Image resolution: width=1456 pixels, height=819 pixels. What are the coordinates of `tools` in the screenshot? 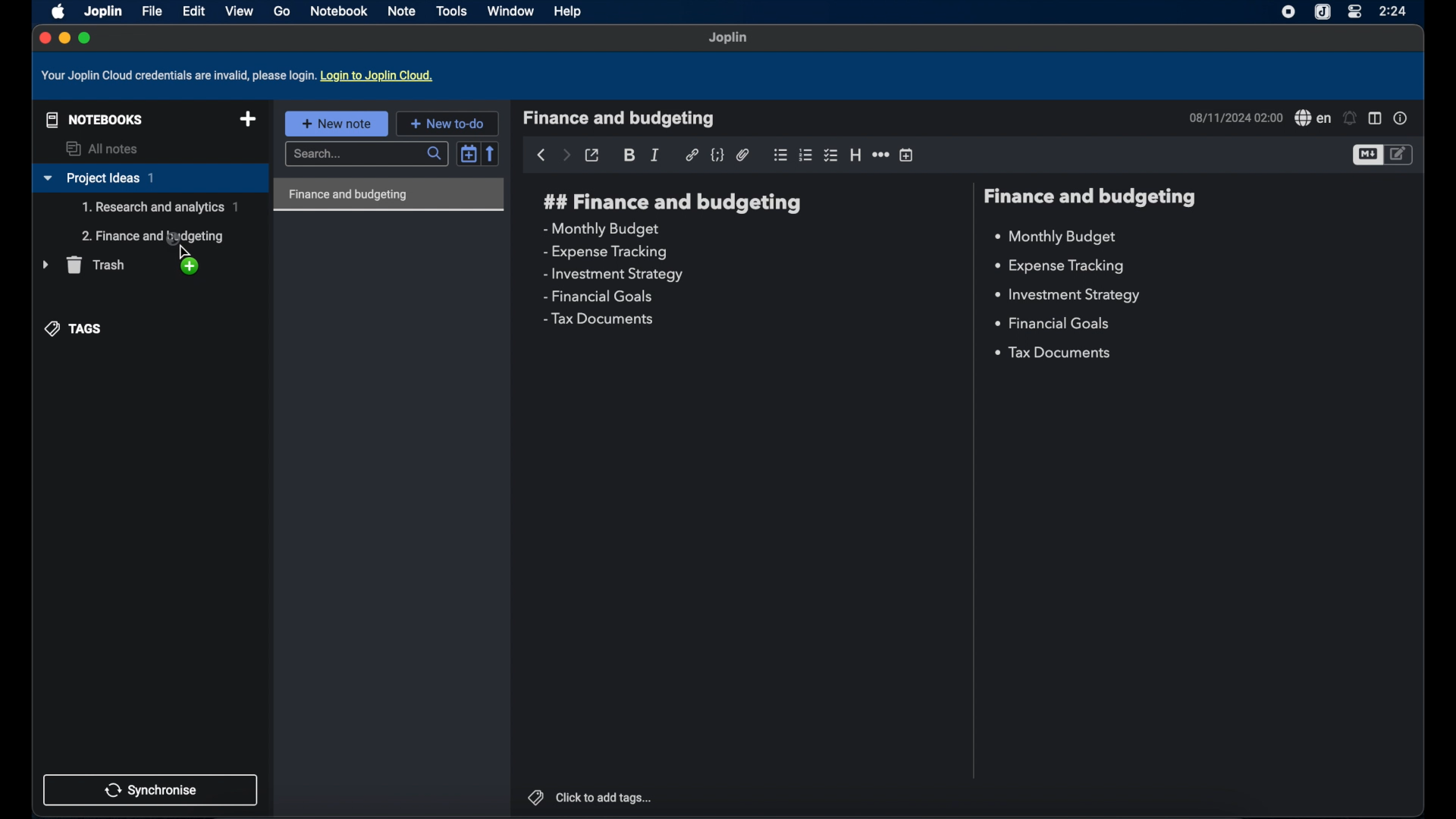 It's located at (452, 11).